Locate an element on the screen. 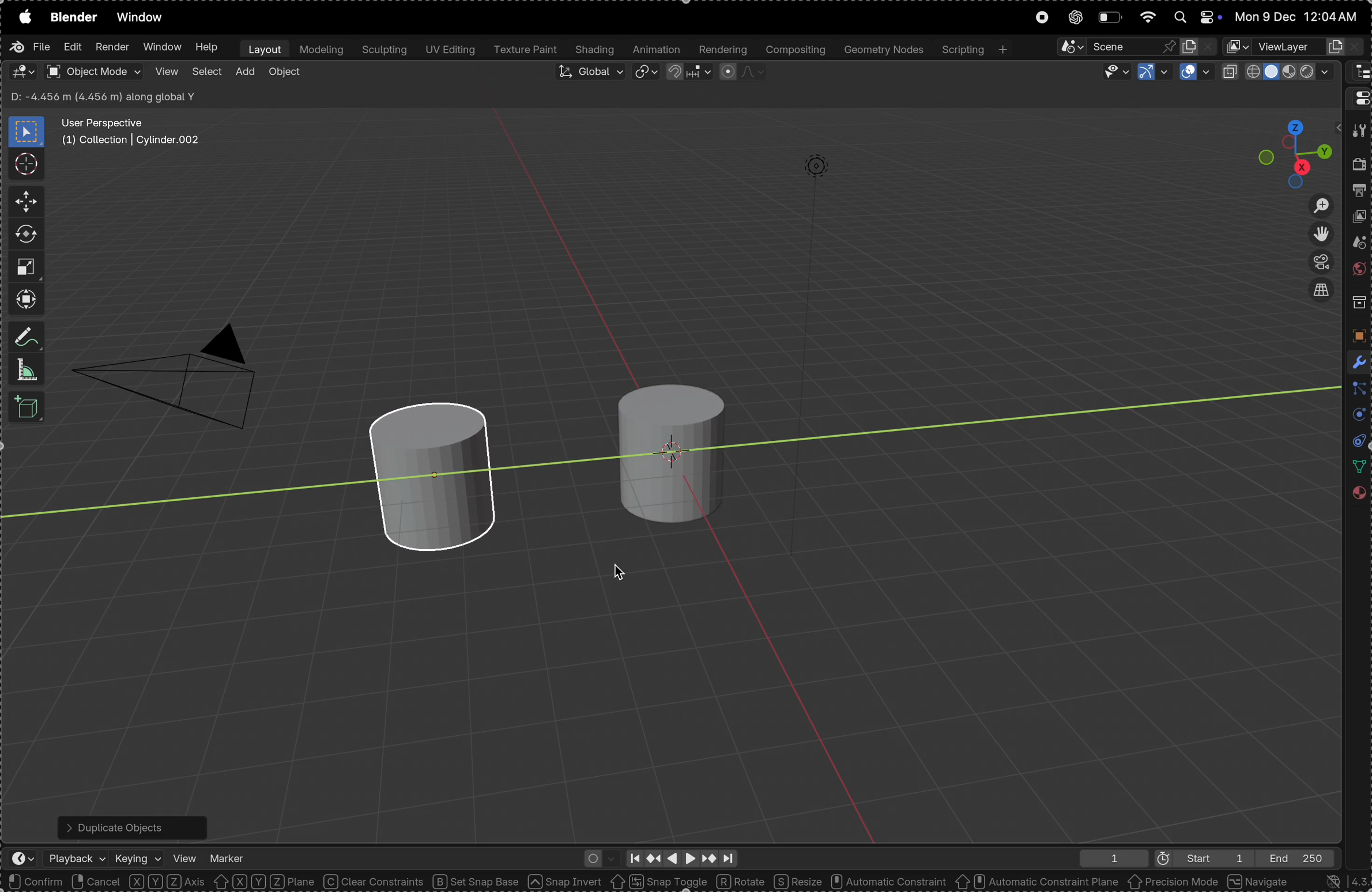 The width and height of the screenshot is (1372, 892). automatic constraint pane is located at coordinates (1036, 882).